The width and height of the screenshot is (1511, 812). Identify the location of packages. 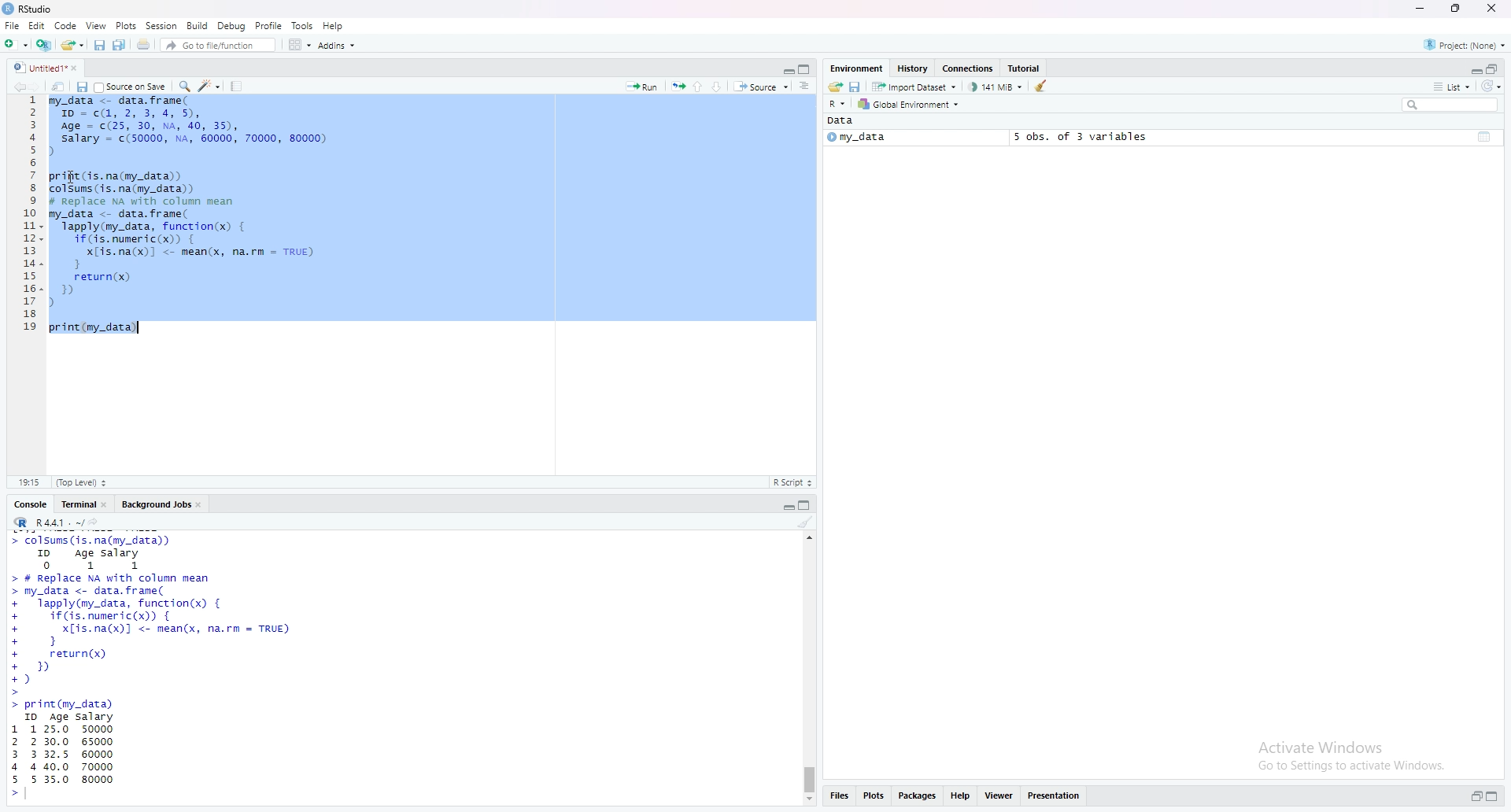
(918, 795).